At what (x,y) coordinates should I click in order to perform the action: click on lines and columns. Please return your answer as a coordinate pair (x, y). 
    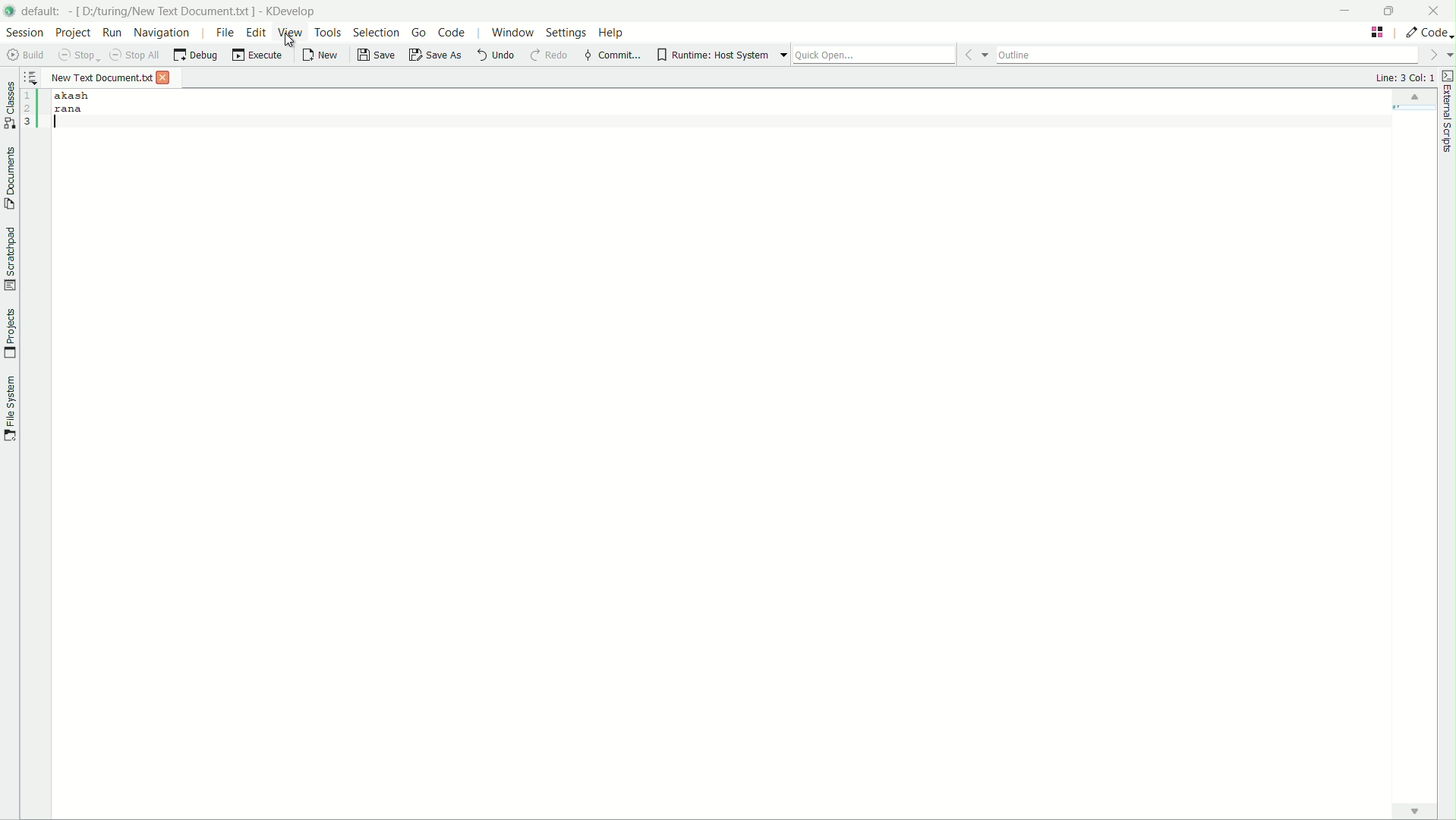
    Looking at the image, I should click on (1404, 77).